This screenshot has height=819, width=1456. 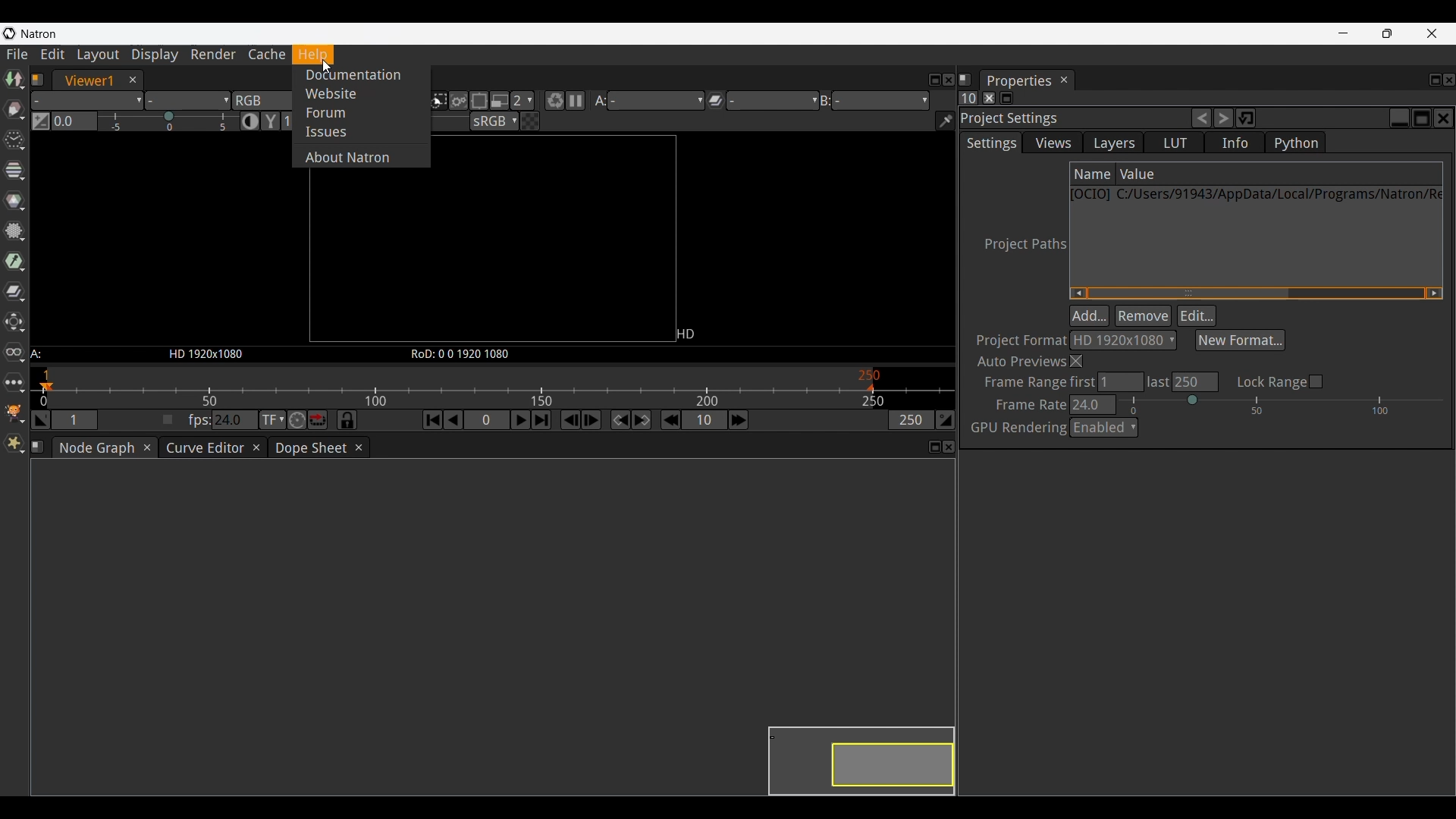 What do you see at coordinates (1022, 338) in the screenshot?
I see `Project Format: ` at bounding box center [1022, 338].